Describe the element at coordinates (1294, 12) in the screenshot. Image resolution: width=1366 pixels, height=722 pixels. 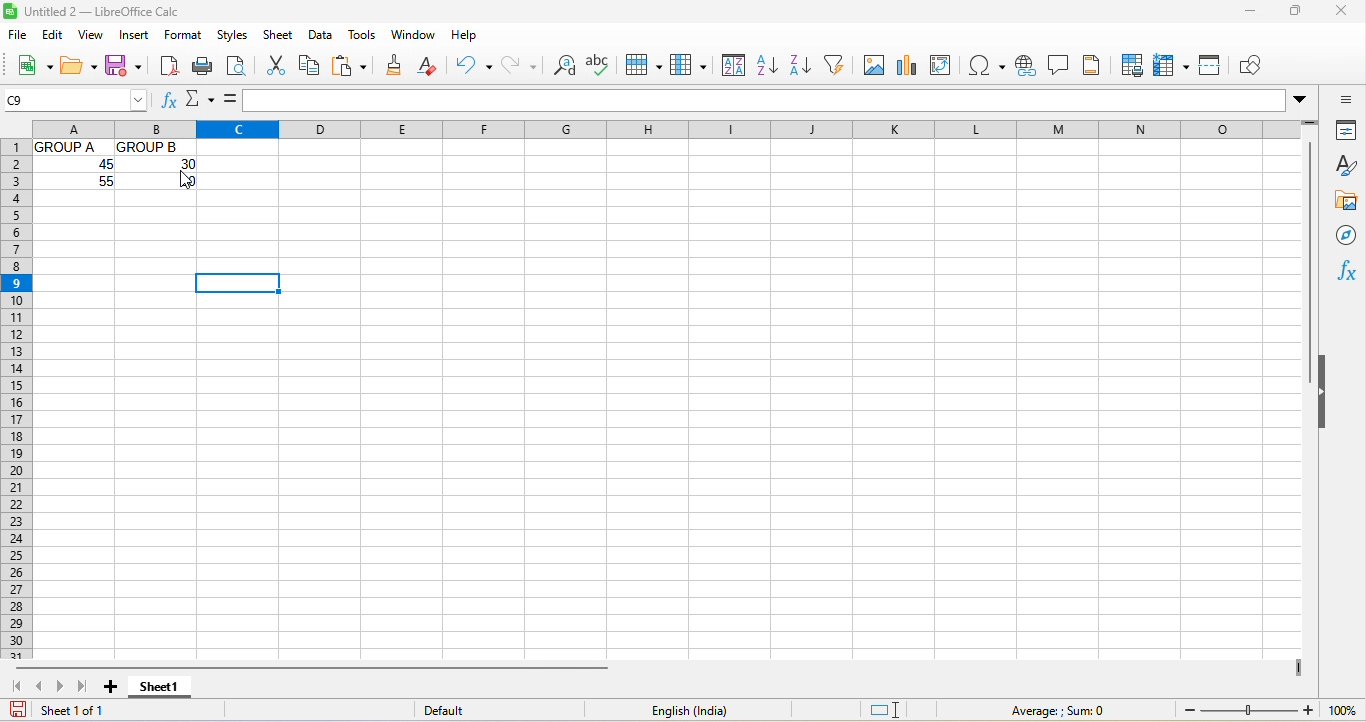
I see `maximize` at that location.